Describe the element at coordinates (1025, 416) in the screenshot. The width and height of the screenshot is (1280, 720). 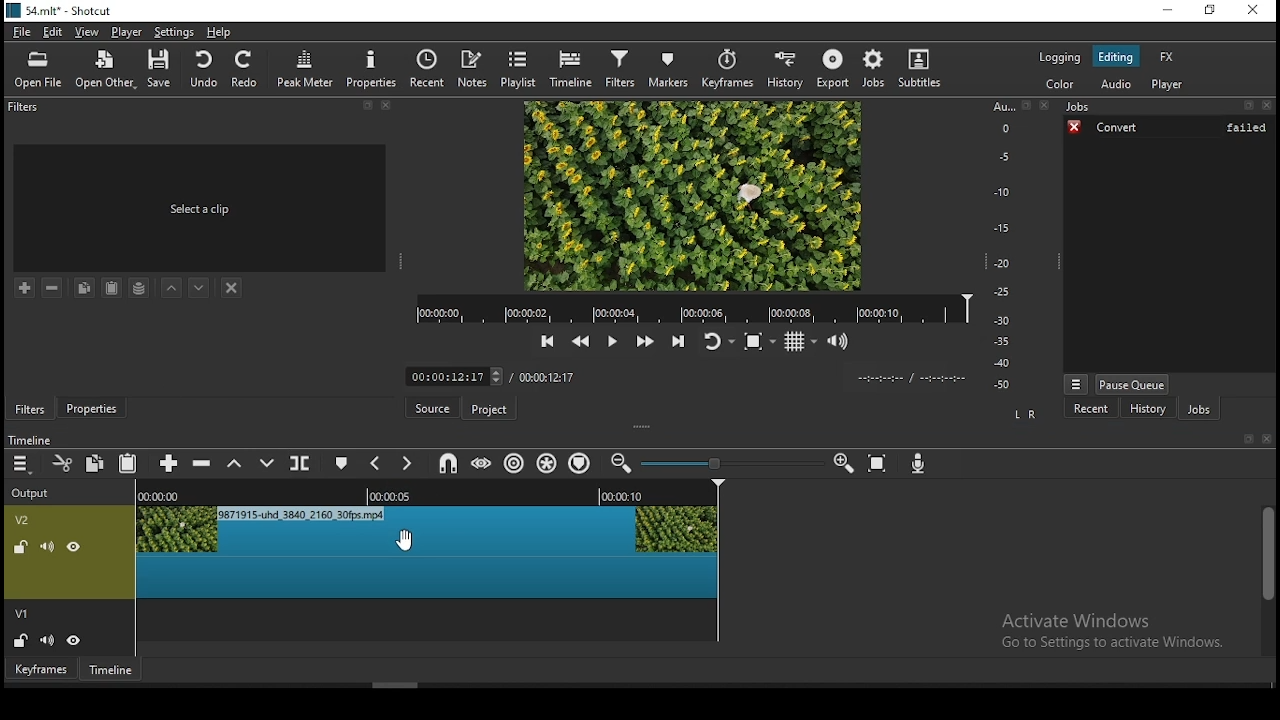
I see `L R` at that location.